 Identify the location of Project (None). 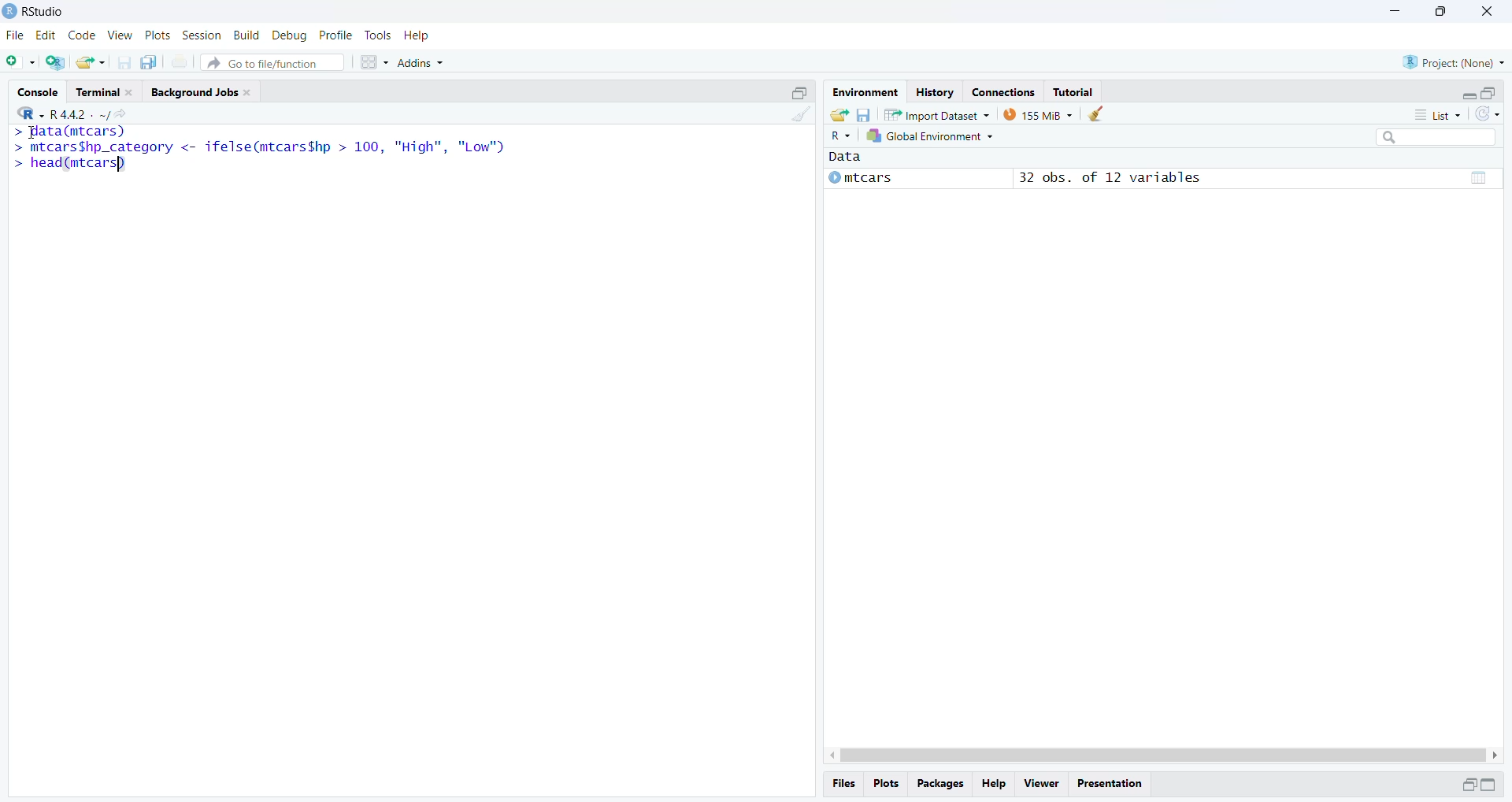
(1455, 61).